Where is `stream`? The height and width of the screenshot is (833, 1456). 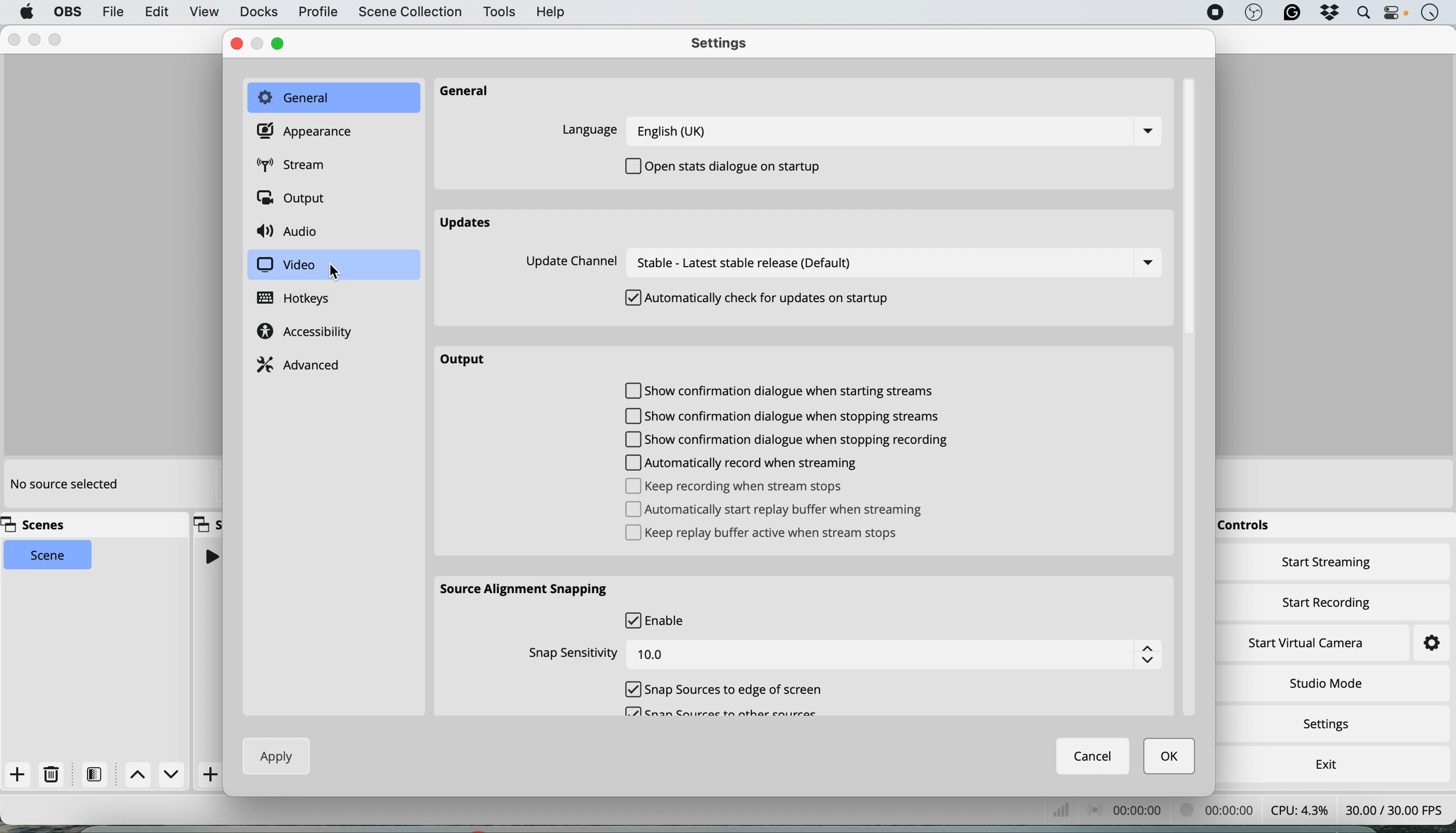
stream is located at coordinates (300, 166).